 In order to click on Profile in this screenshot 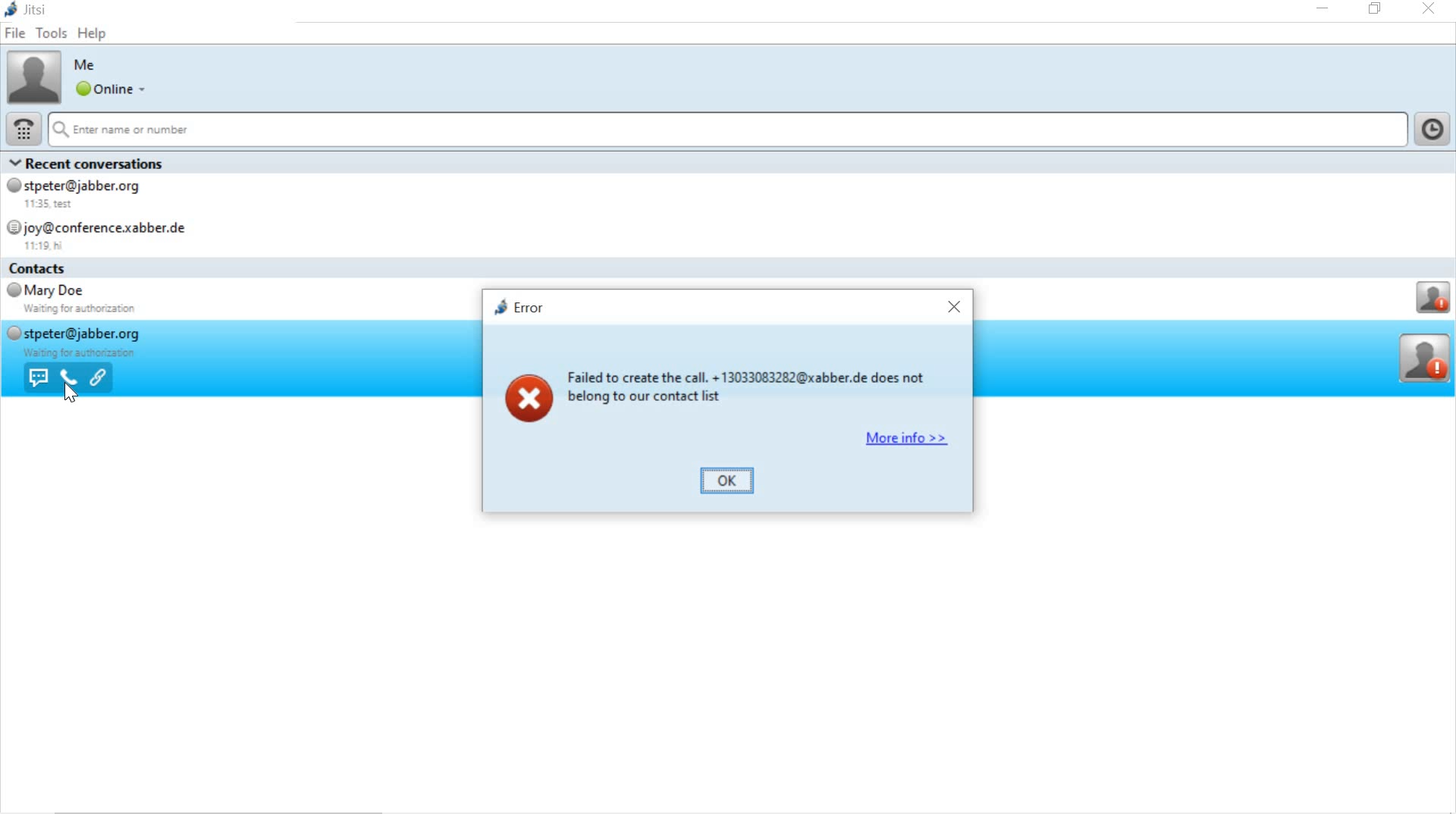, I will do `click(1432, 299)`.